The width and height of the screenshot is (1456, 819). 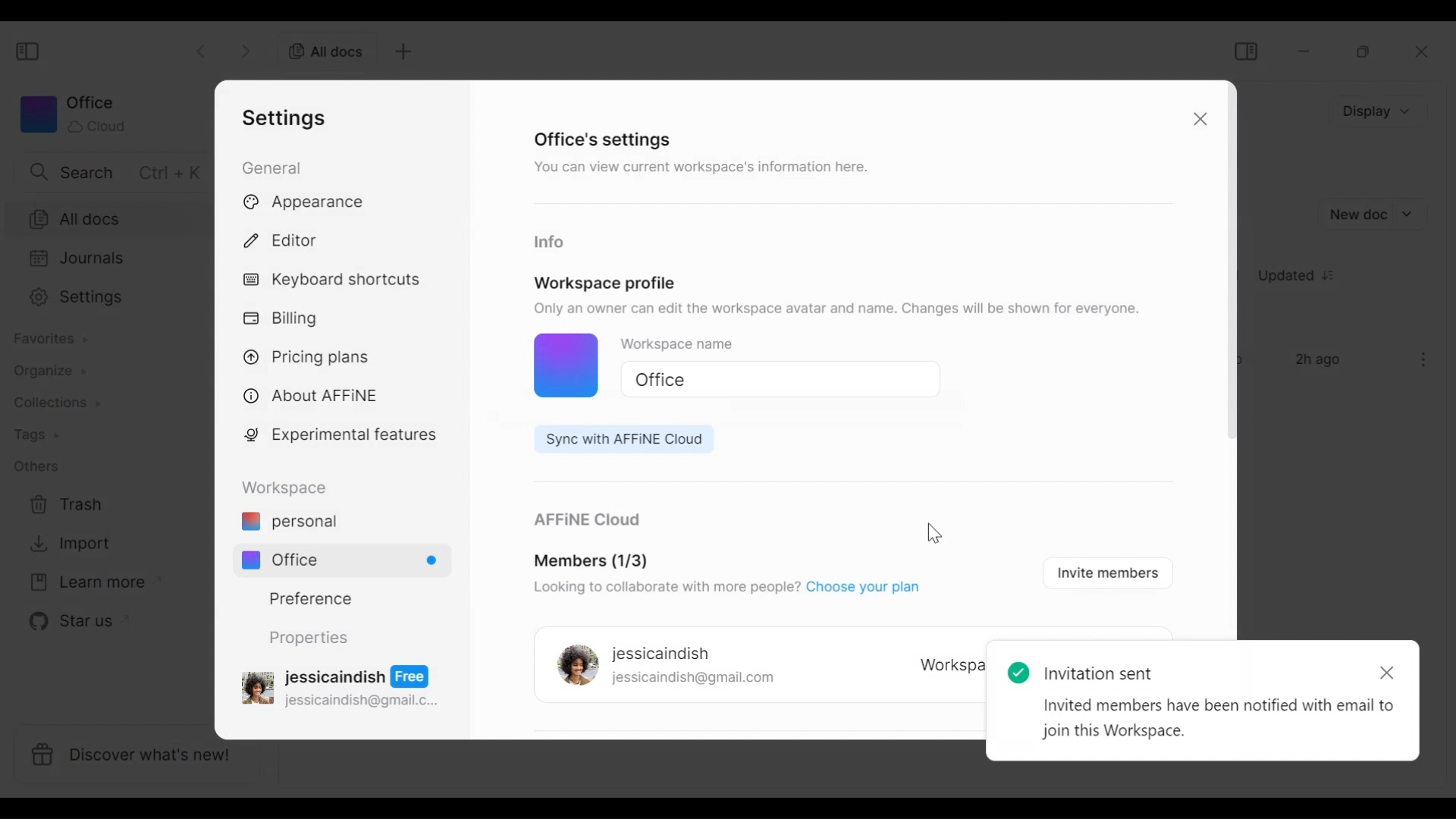 What do you see at coordinates (1424, 359) in the screenshot?
I see `More options` at bounding box center [1424, 359].